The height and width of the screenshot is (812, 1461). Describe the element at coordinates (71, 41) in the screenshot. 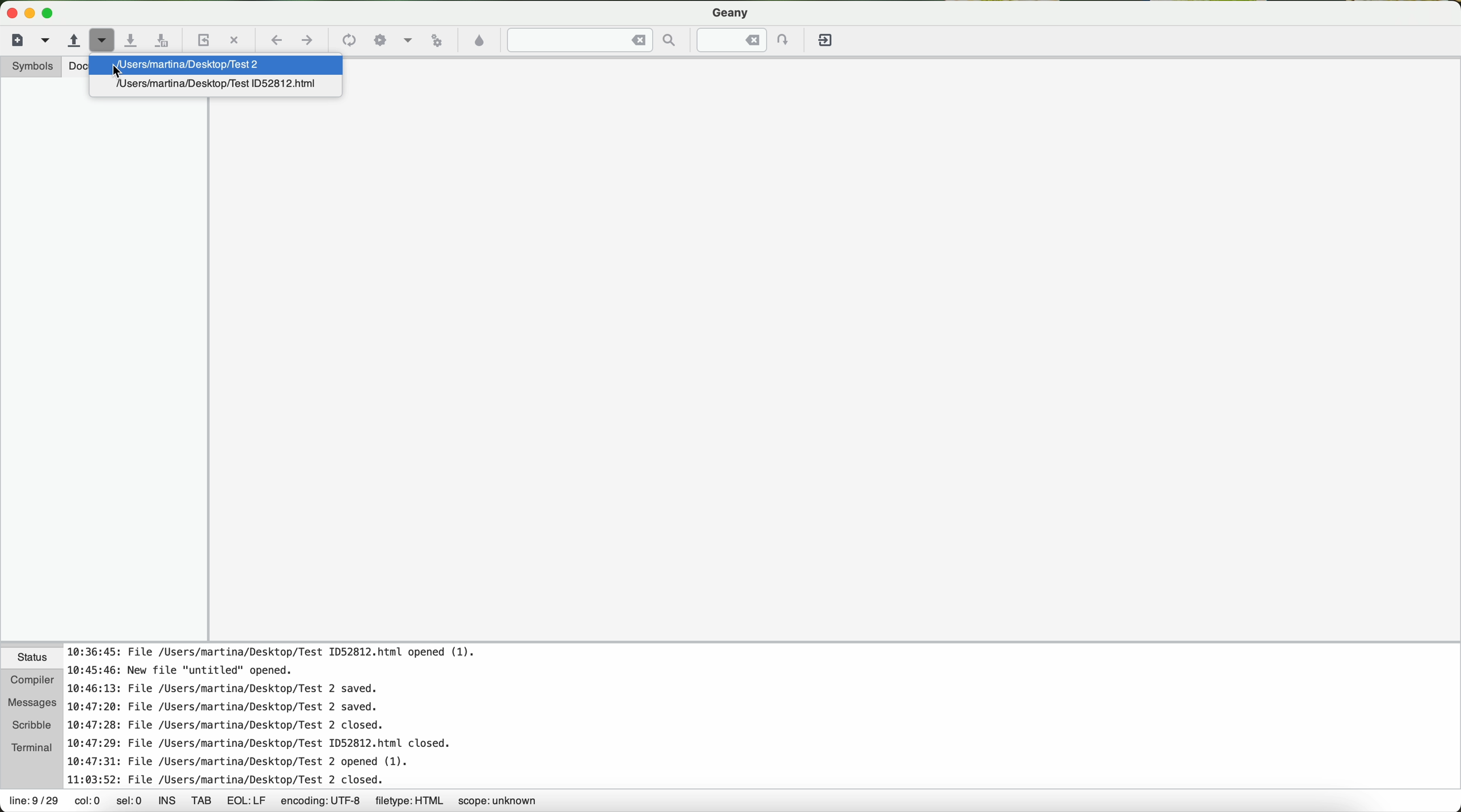

I see `open an existing file` at that location.